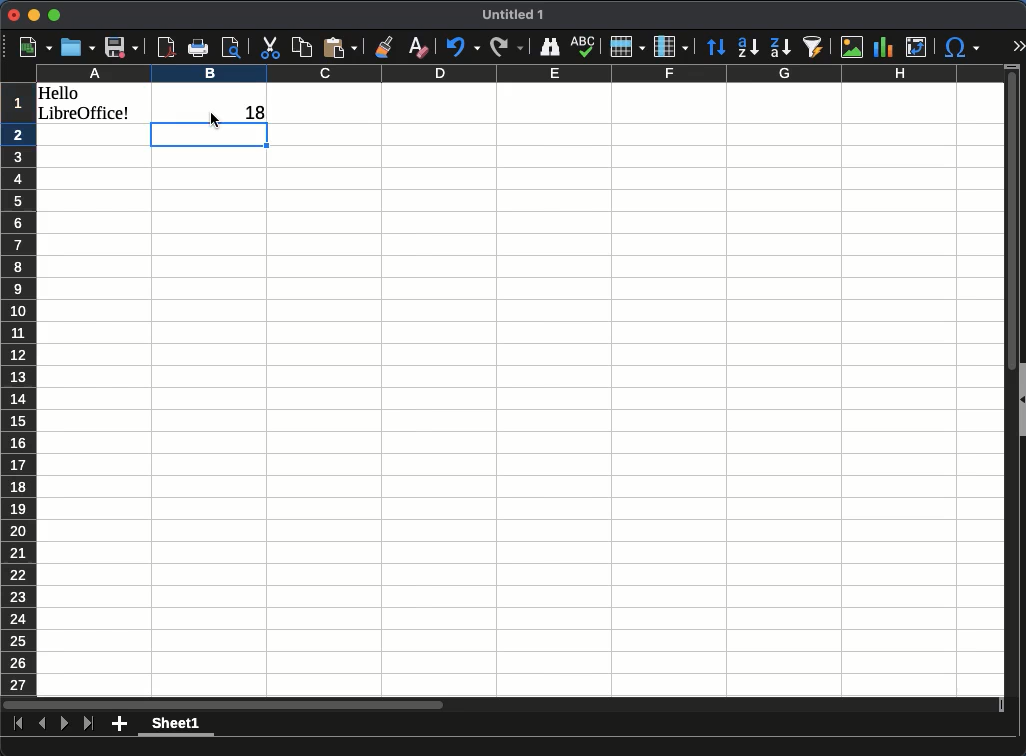 The height and width of the screenshot is (756, 1026). I want to click on last sheet, so click(89, 723).